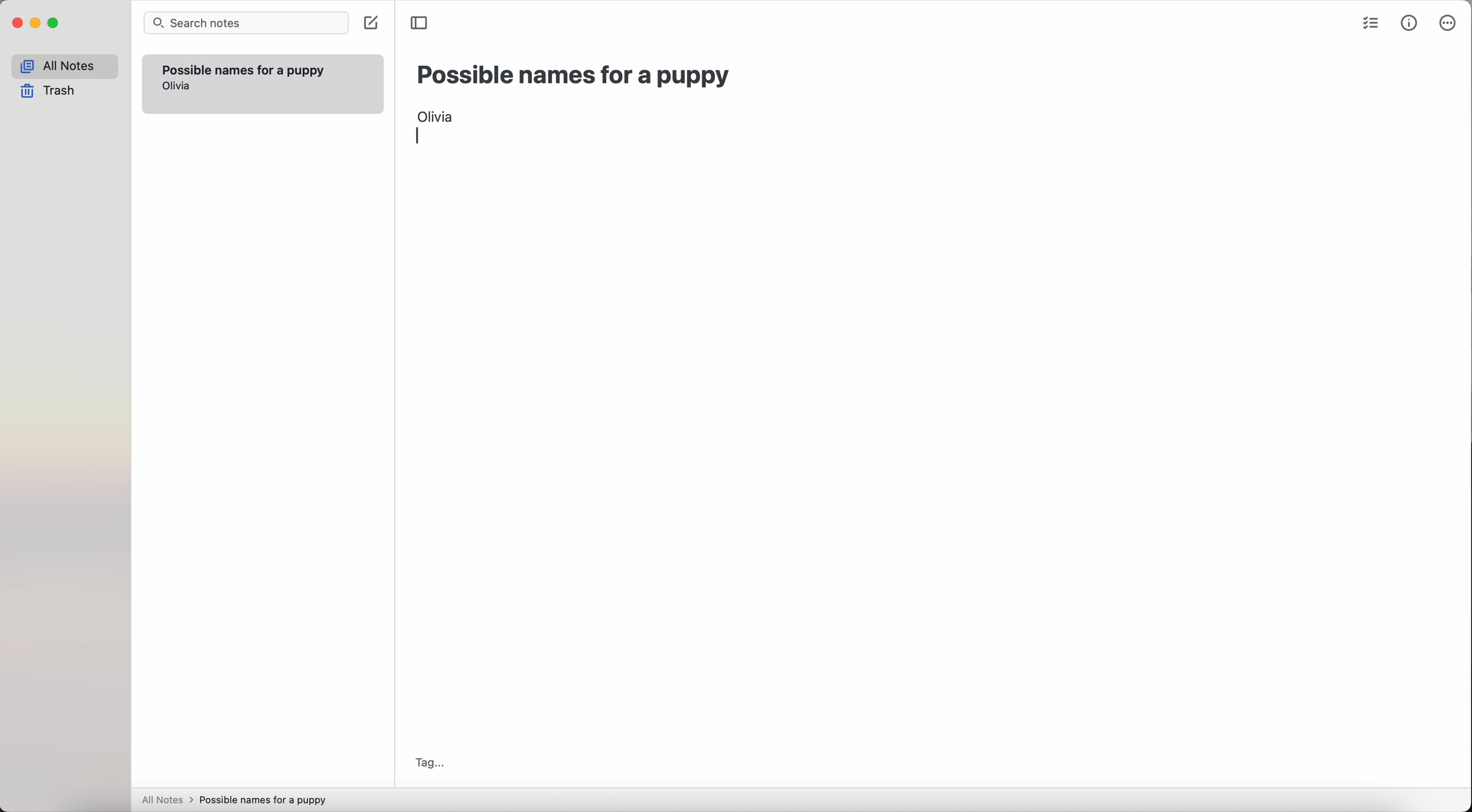  What do you see at coordinates (422, 135) in the screenshot?
I see `enter` at bounding box center [422, 135].